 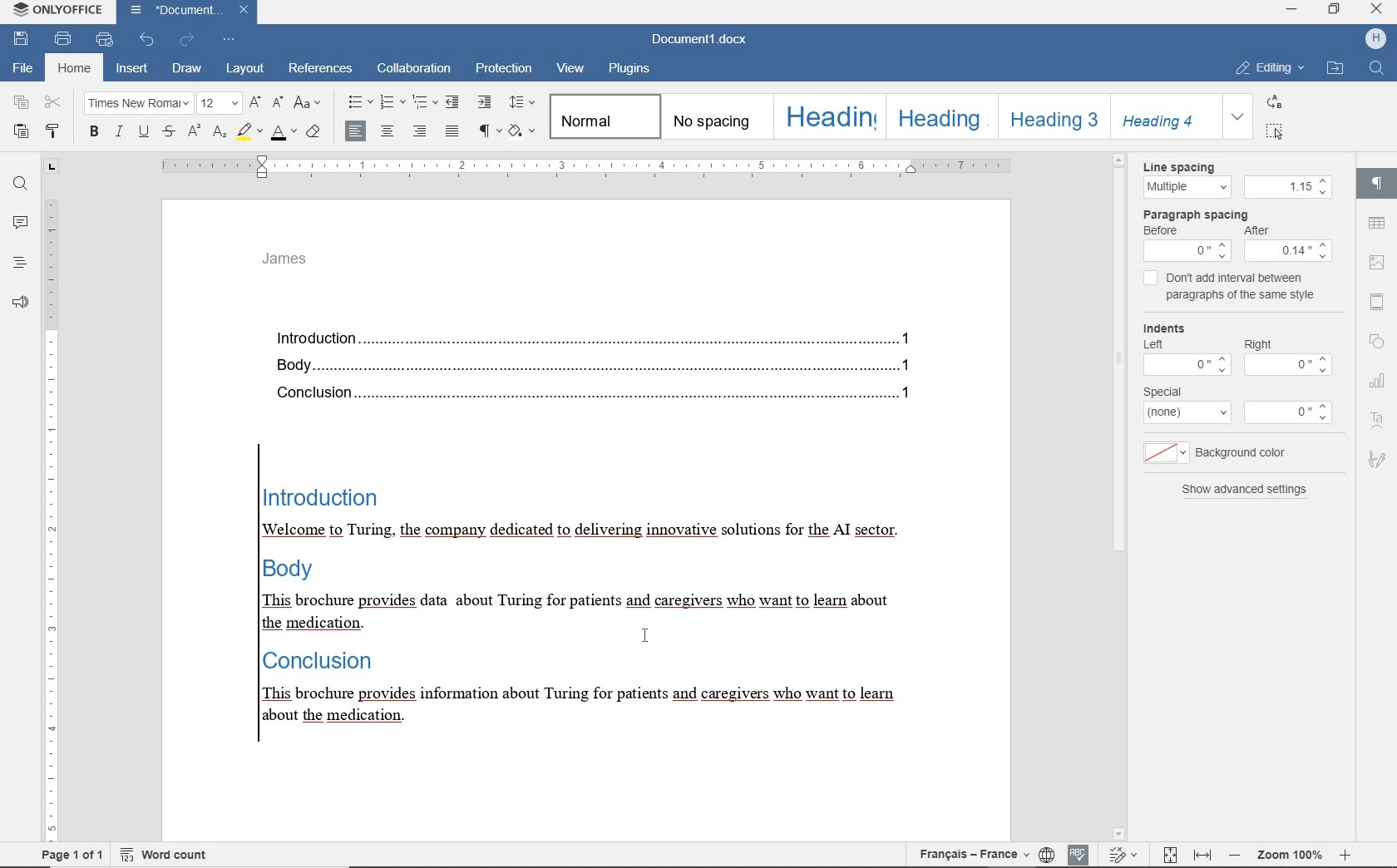 What do you see at coordinates (1246, 491) in the screenshot?
I see `show advanced settings` at bounding box center [1246, 491].